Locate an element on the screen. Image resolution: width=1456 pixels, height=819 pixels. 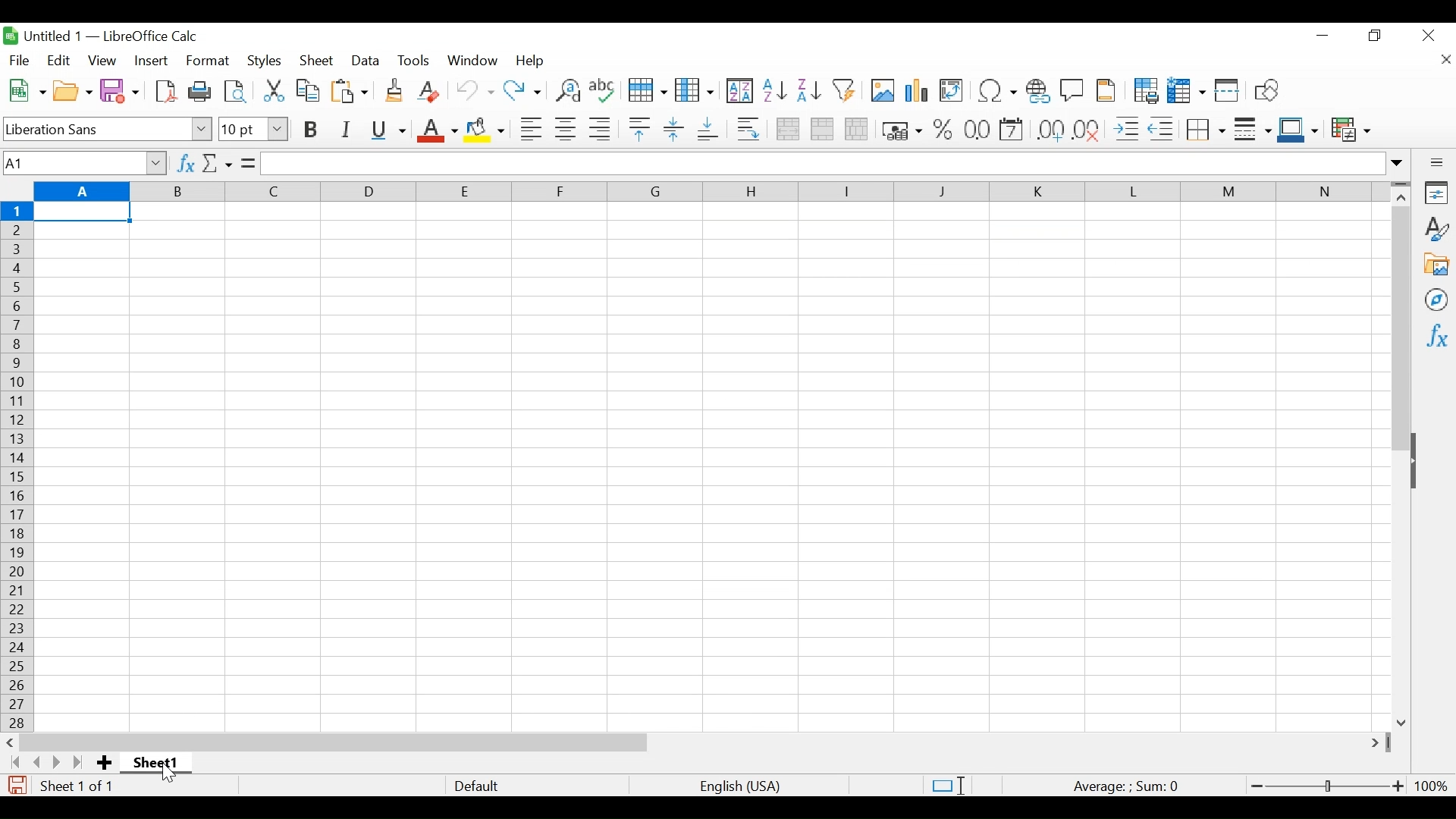
Select Function is located at coordinates (217, 163).